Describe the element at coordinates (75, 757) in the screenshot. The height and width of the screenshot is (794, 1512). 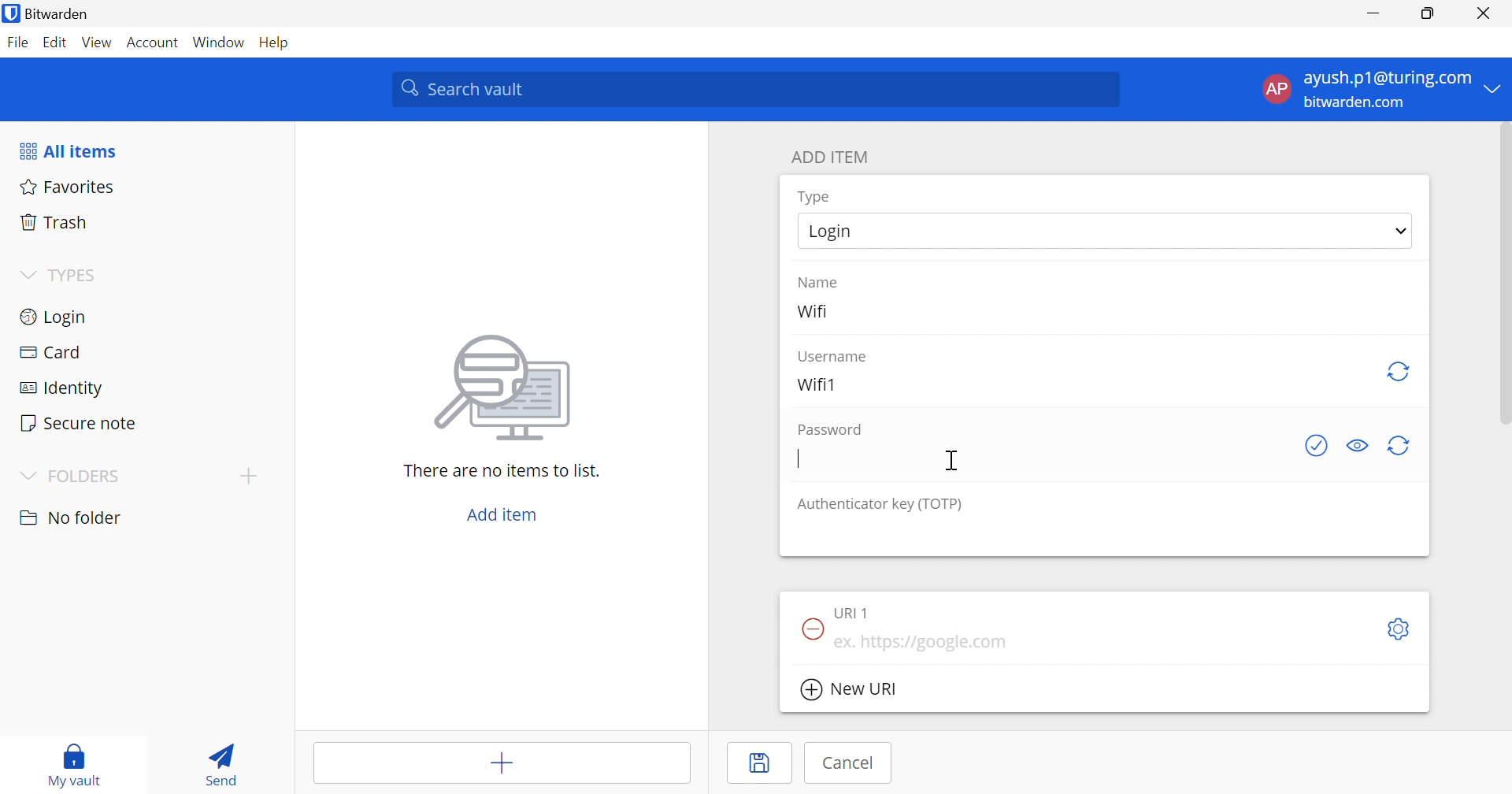
I see `My vault` at that location.